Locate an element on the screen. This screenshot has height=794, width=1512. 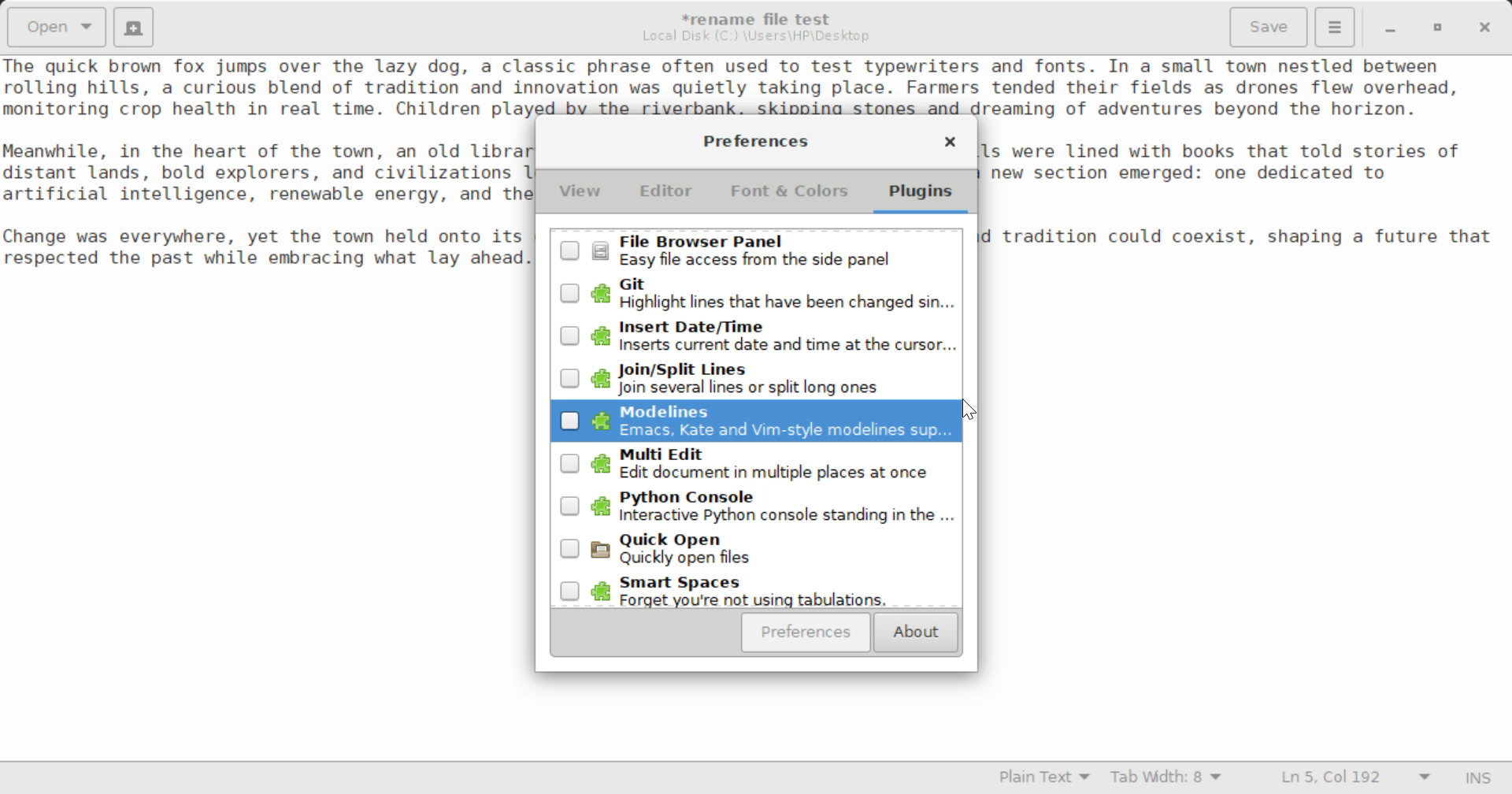
Unselected Quickly Open Plugin is located at coordinates (757, 555).